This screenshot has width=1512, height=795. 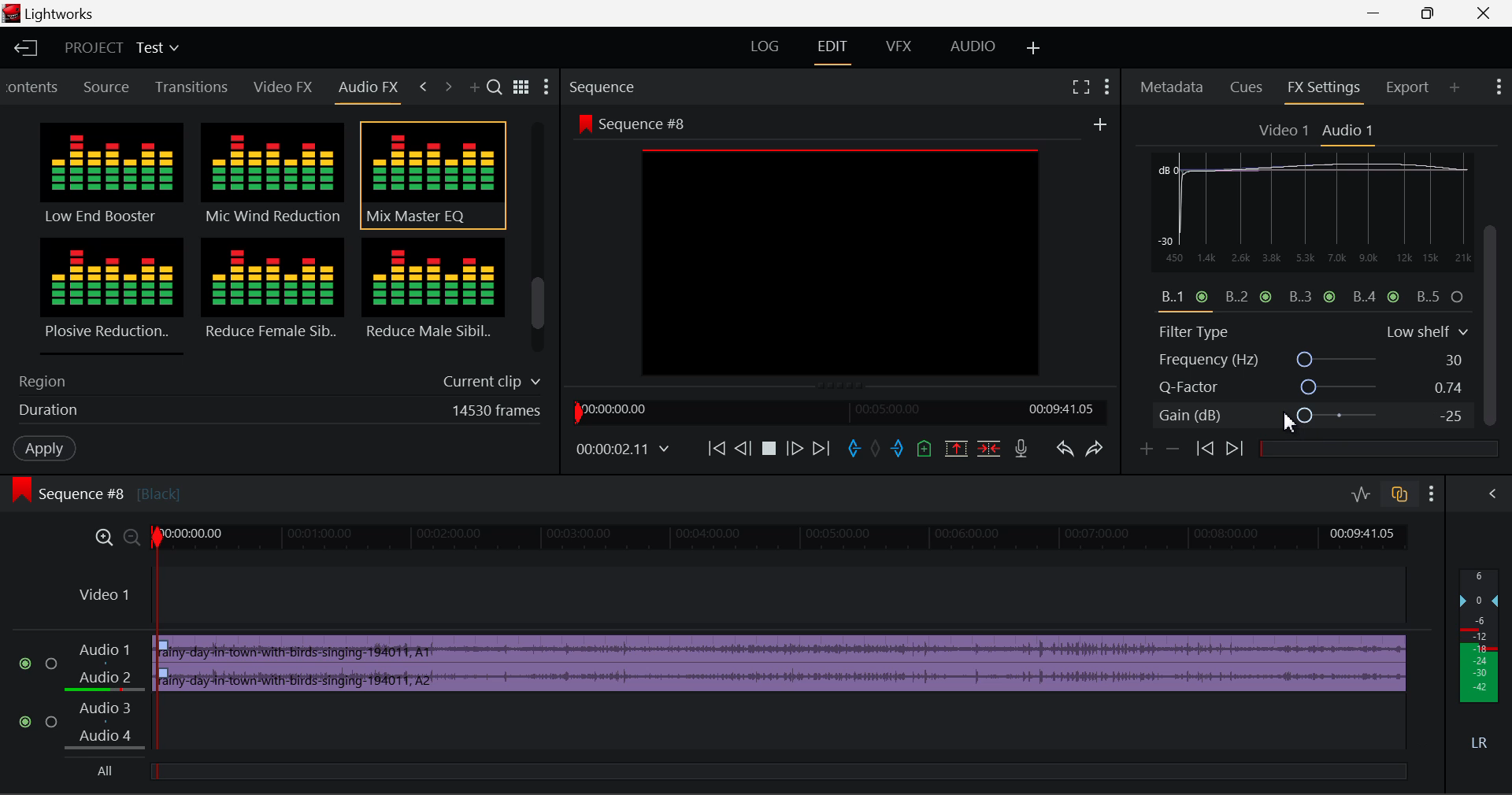 What do you see at coordinates (737, 597) in the screenshot?
I see `Video Layer` at bounding box center [737, 597].